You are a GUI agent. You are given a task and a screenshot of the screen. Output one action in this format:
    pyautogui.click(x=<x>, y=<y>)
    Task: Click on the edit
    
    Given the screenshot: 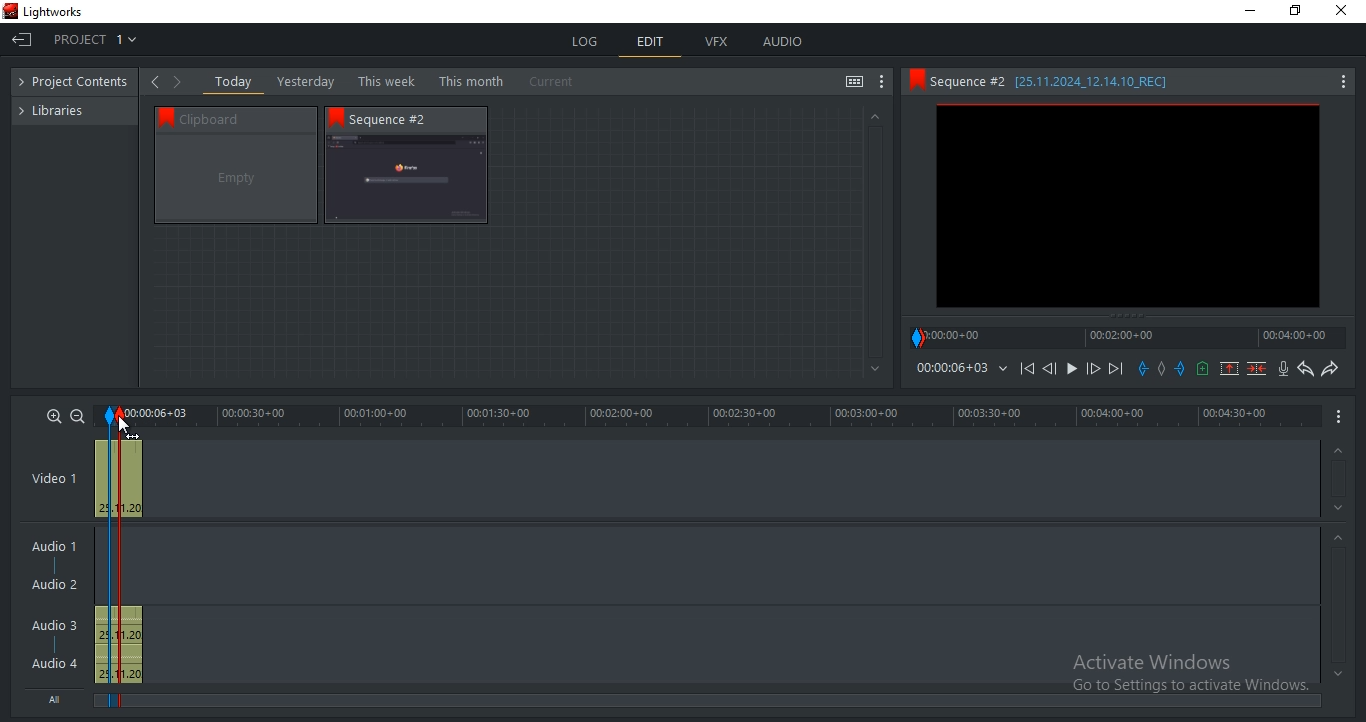 What is the action you would take?
    pyautogui.click(x=651, y=44)
    